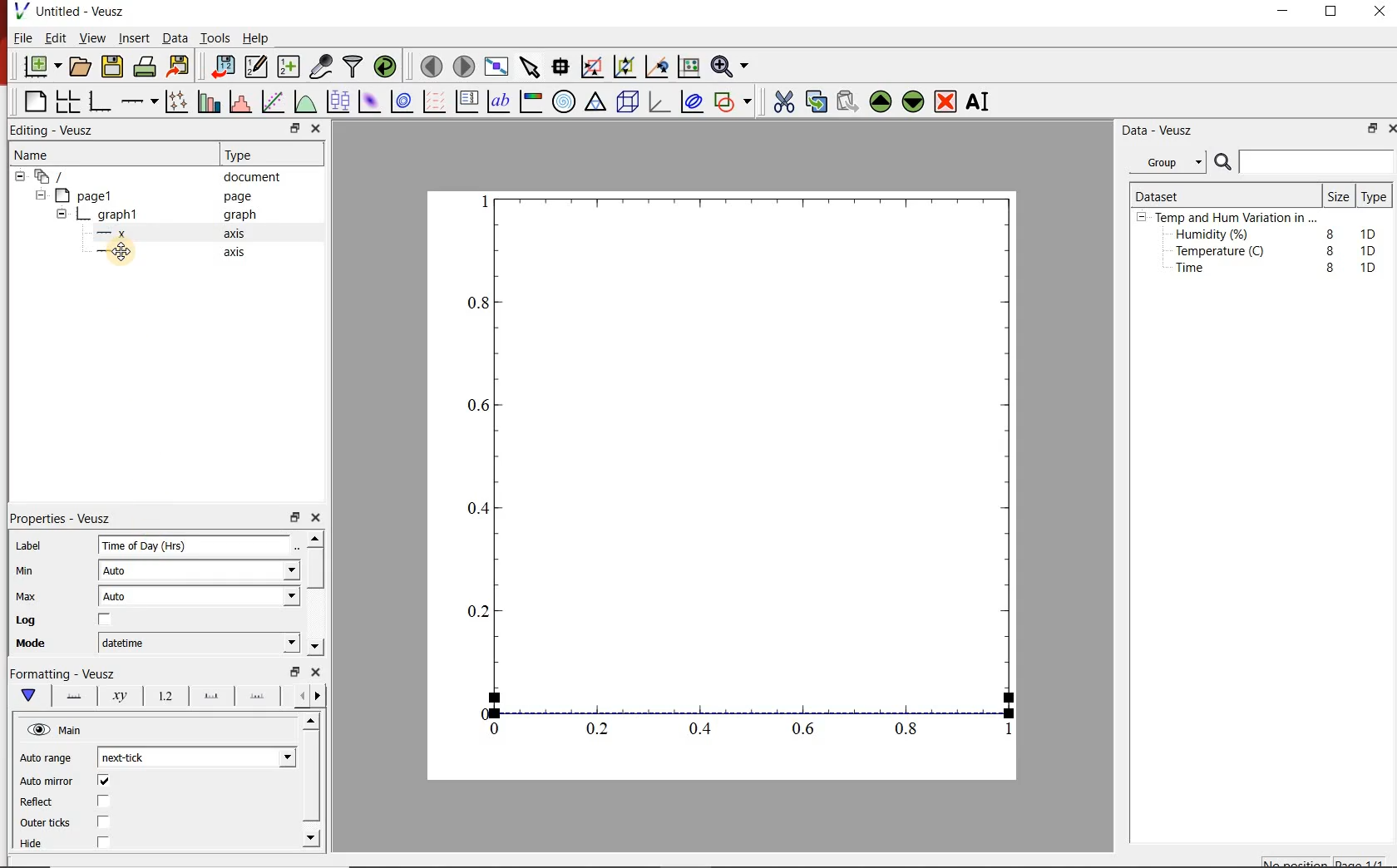 Image resolution: width=1397 pixels, height=868 pixels. Describe the element at coordinates (1164, 194) in the screenshot. I see `Dataset` at that location.